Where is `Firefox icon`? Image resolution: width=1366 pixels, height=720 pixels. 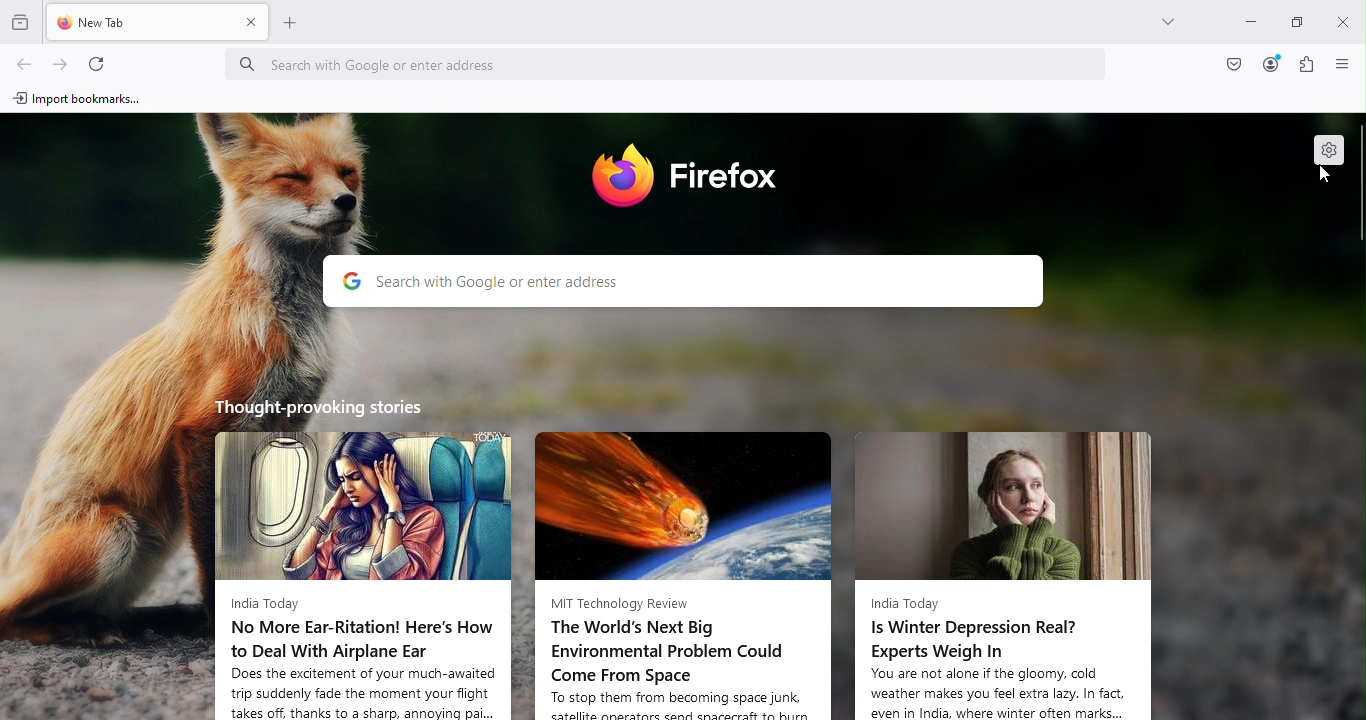 Firefox icon is located at coordinates (691, 178).